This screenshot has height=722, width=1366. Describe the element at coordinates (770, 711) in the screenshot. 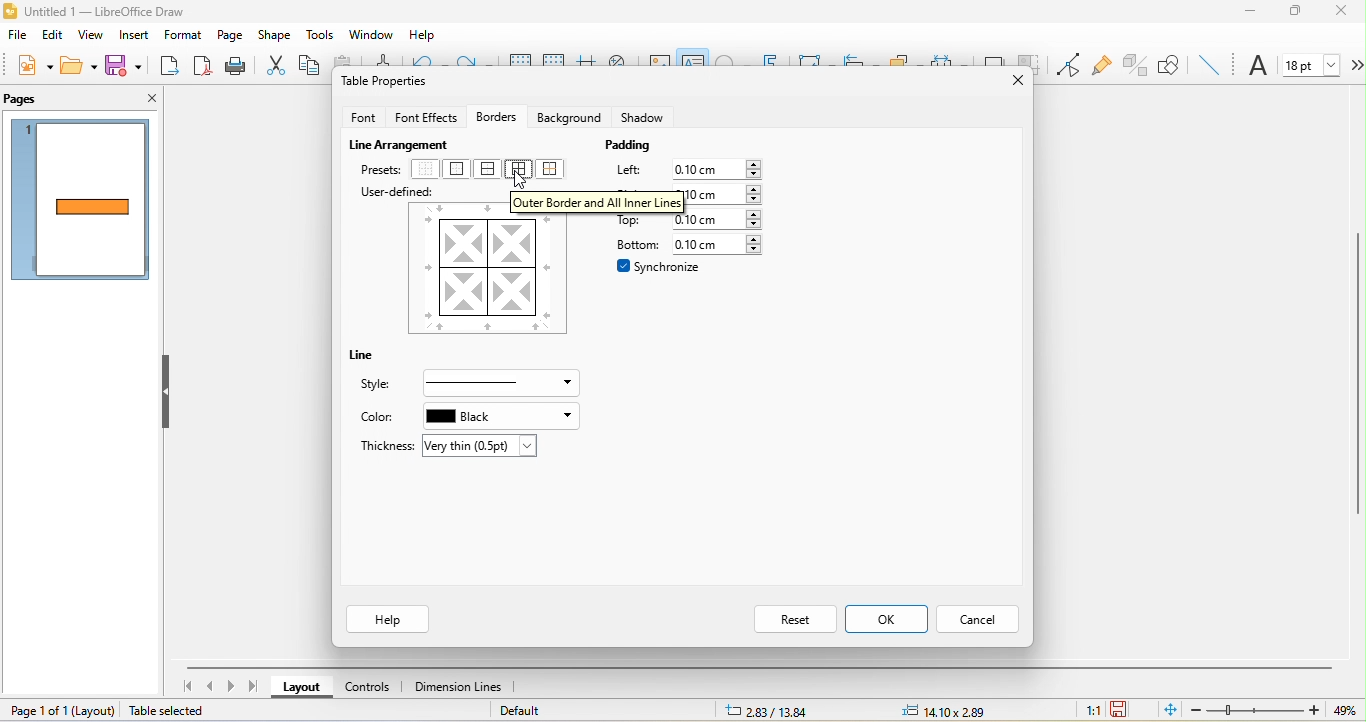

I see `2.83/13.84` at that location.